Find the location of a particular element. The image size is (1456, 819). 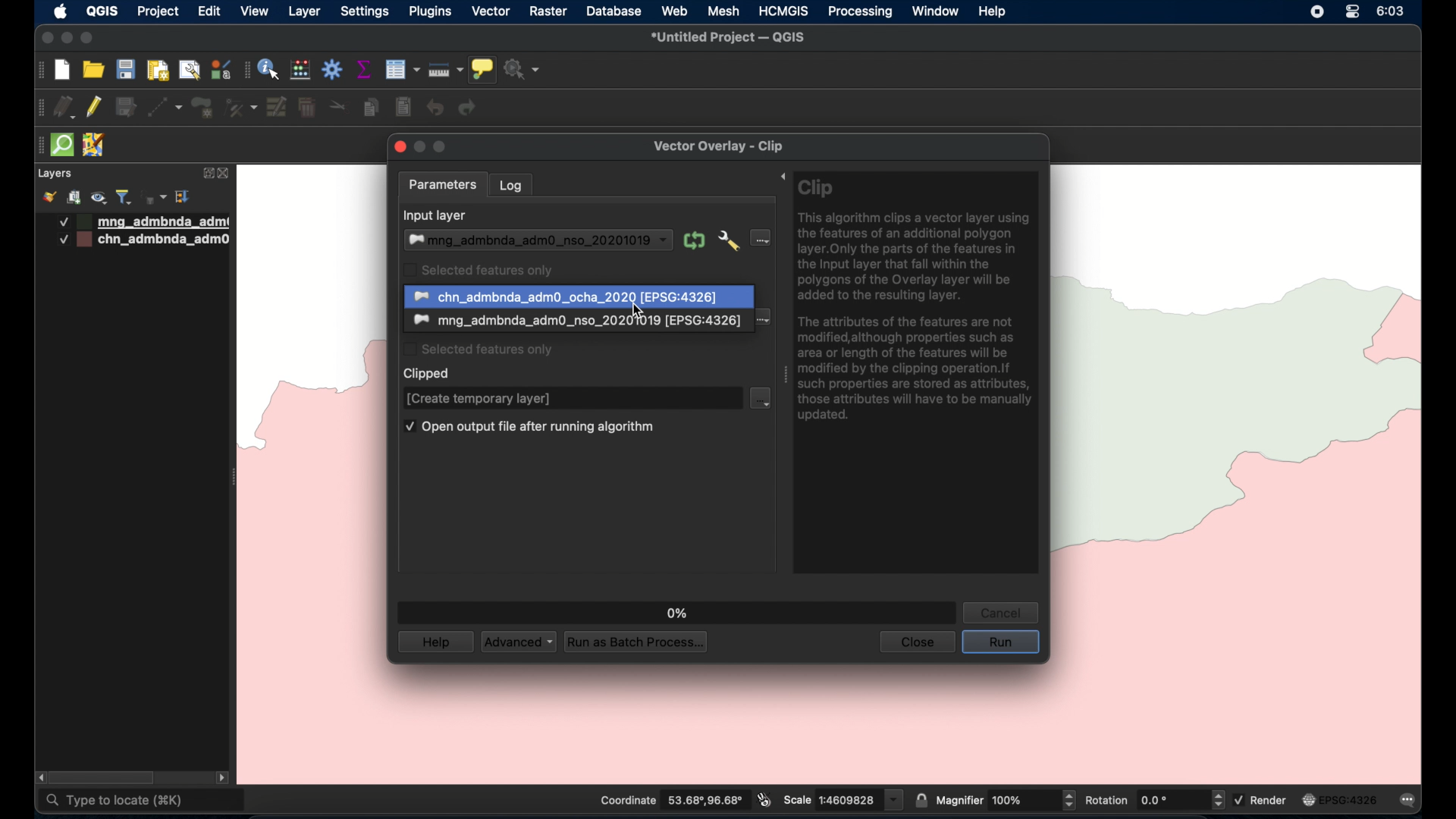

toggle editing is located at coordinates (93, 106).